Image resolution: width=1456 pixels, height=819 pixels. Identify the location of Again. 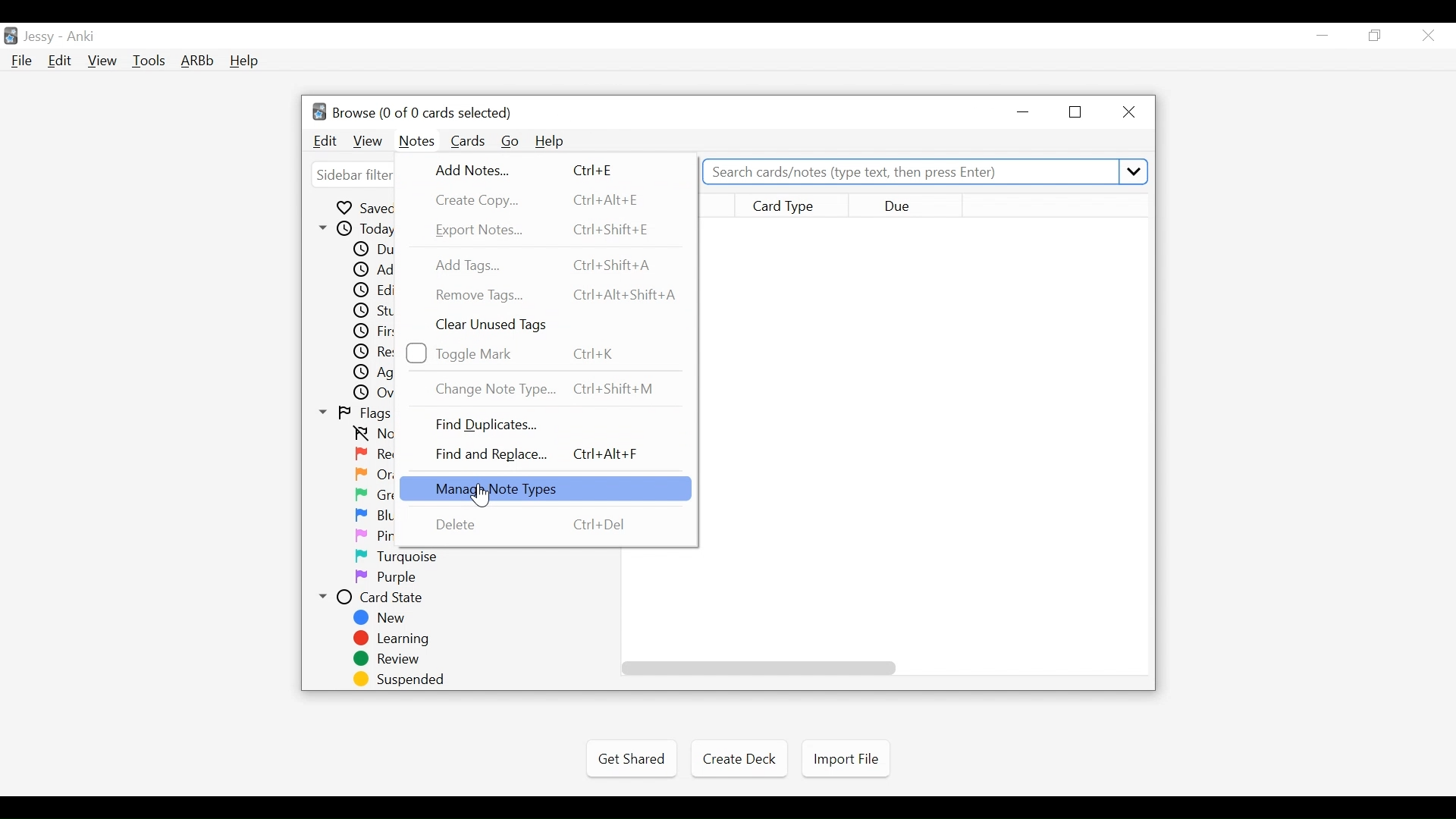
(371, 372).